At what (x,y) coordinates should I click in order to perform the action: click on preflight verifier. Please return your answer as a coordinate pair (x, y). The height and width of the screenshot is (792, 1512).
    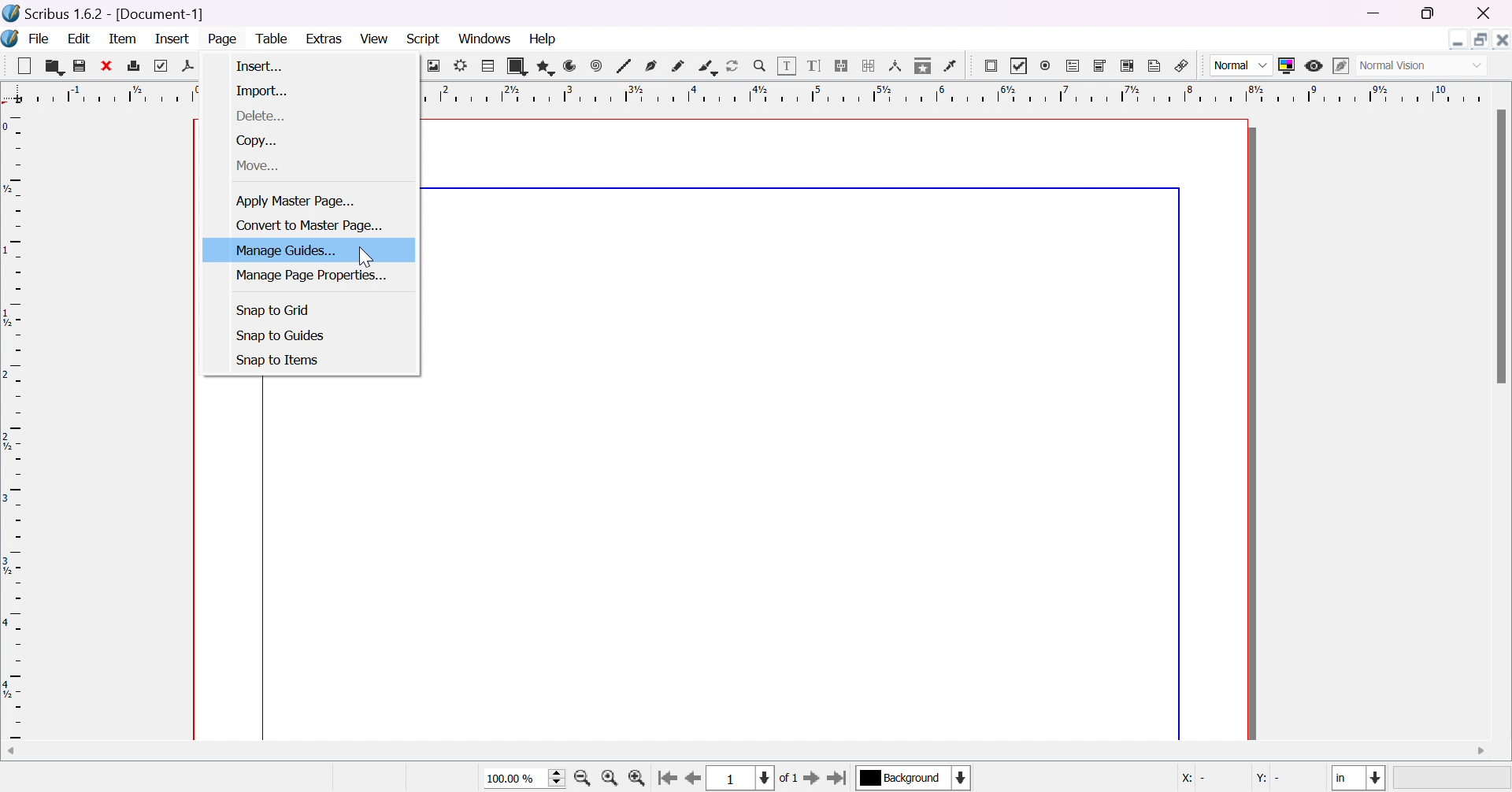
    Looking at the image, I should click on (166, 65).